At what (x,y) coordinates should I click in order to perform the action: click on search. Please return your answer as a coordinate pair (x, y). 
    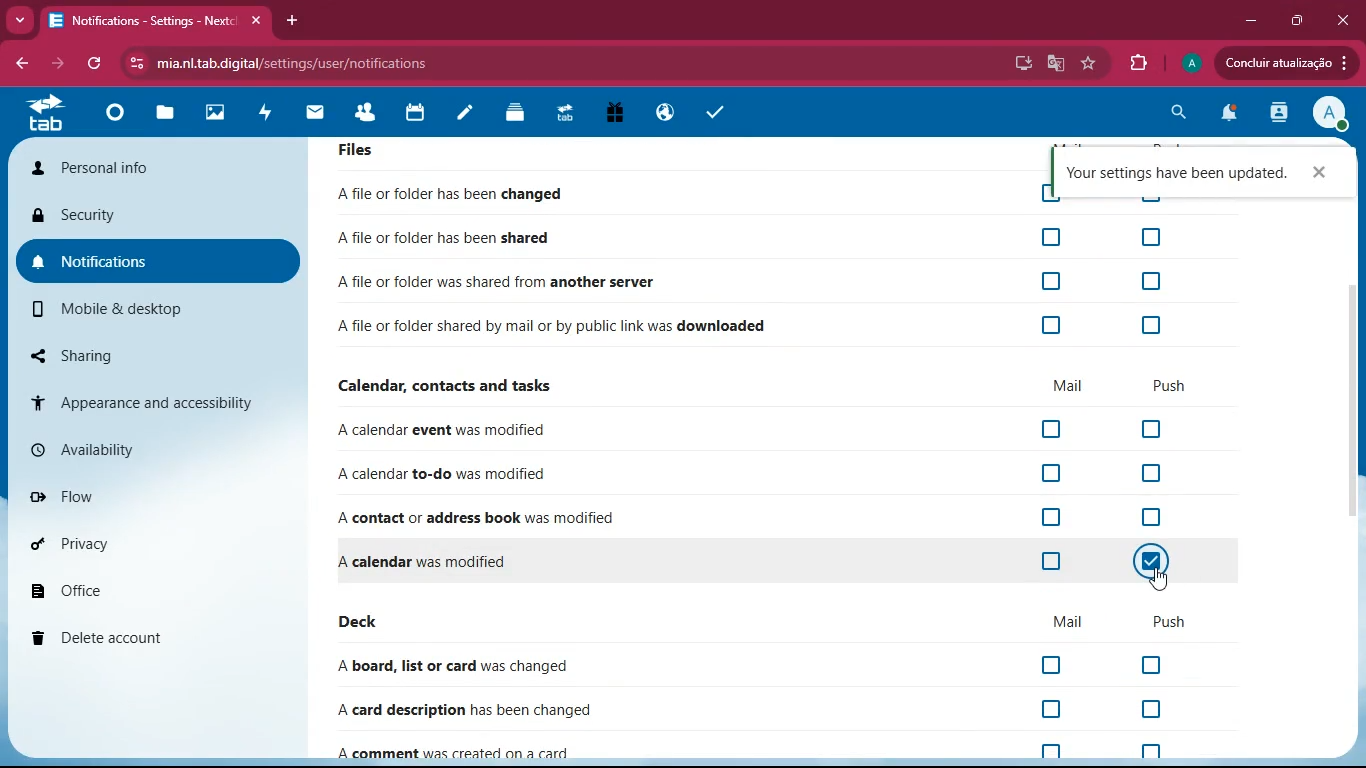
    Looking at the image, I should click on (1178, 113).